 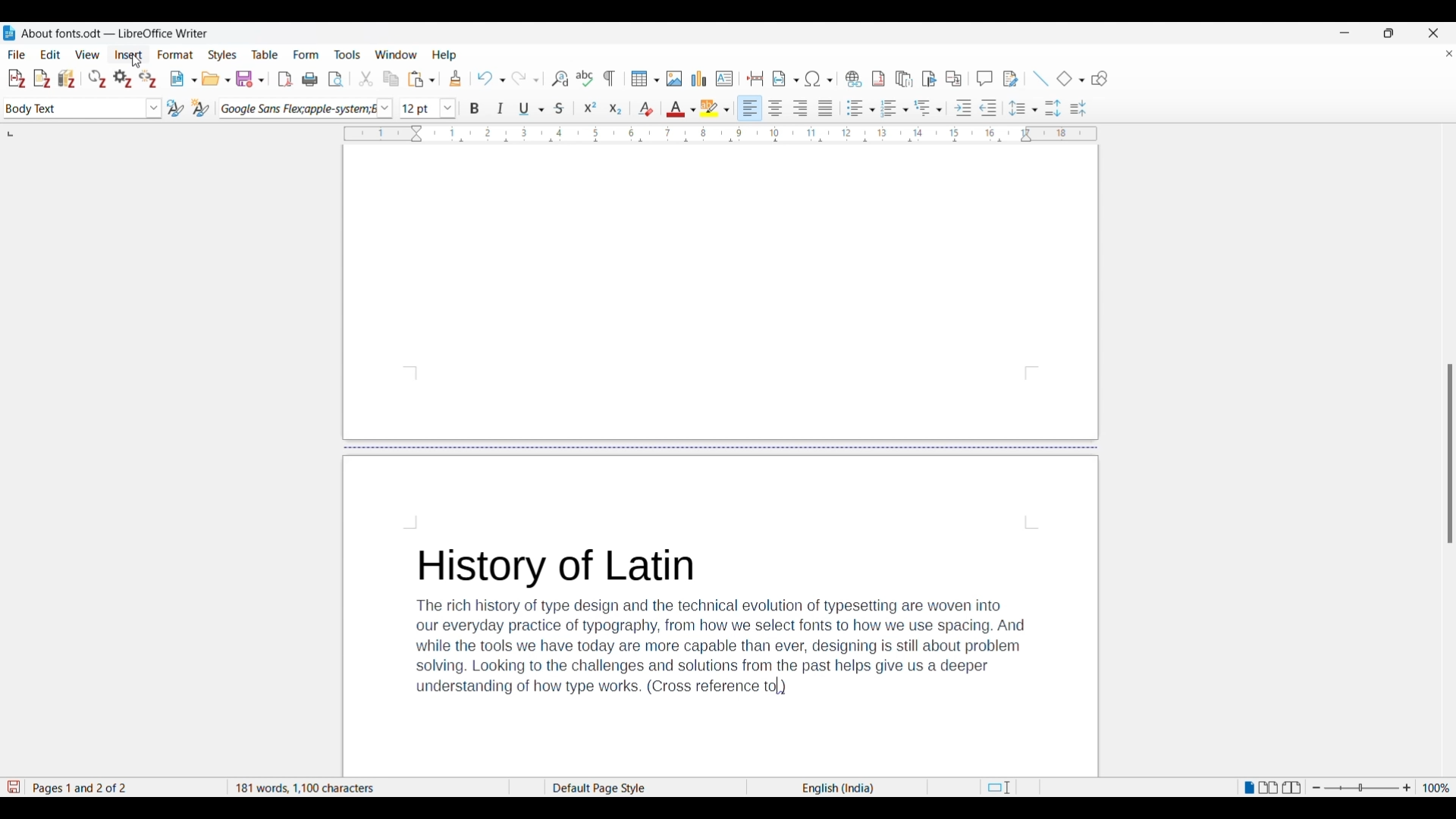 I want to click on , so click(x=1447, y=457).